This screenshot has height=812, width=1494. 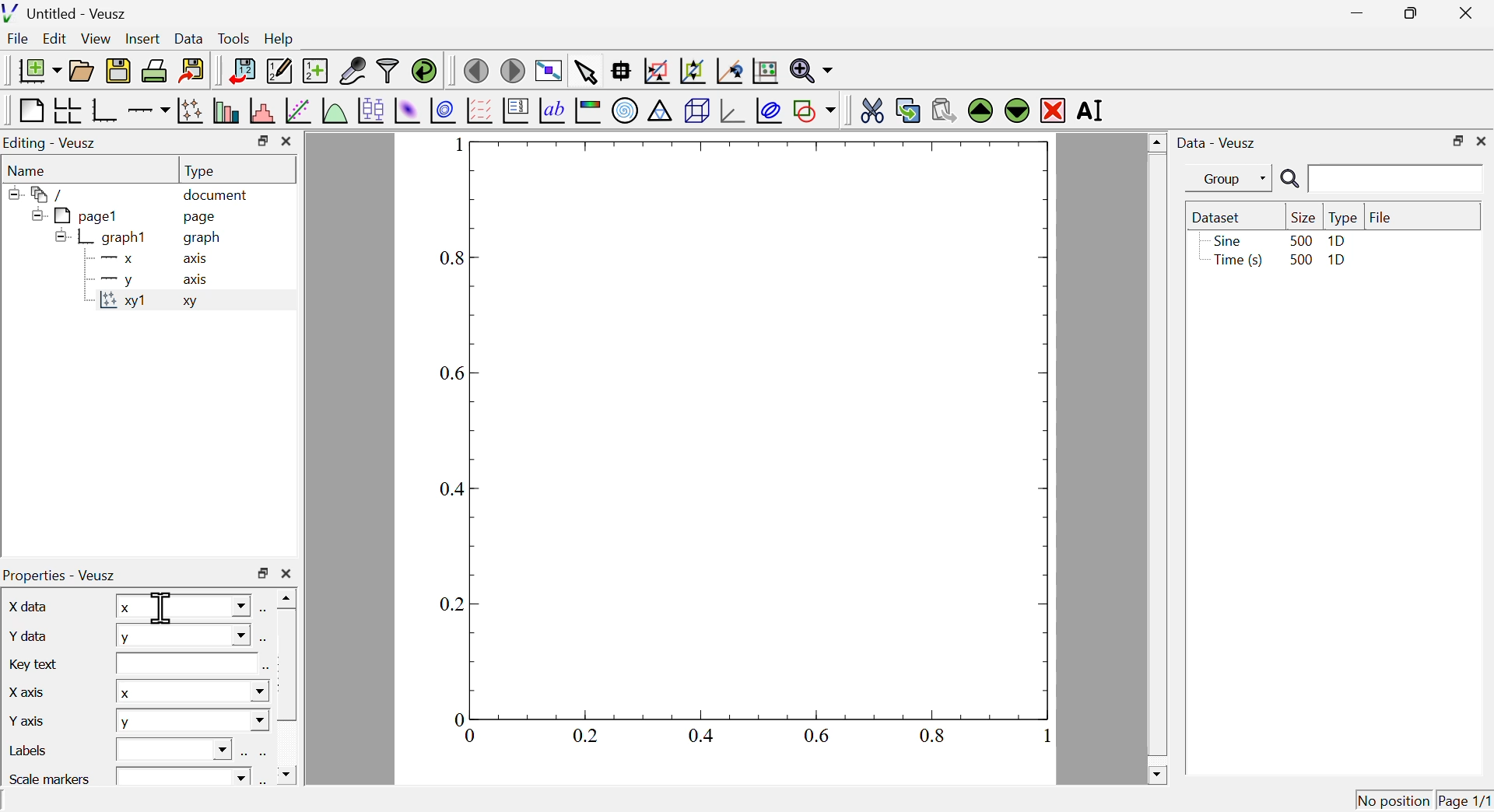 What do you see at coordinates (287, 688) in the screenshot?
I see `scrollbar` at bounding box center [287, 688].